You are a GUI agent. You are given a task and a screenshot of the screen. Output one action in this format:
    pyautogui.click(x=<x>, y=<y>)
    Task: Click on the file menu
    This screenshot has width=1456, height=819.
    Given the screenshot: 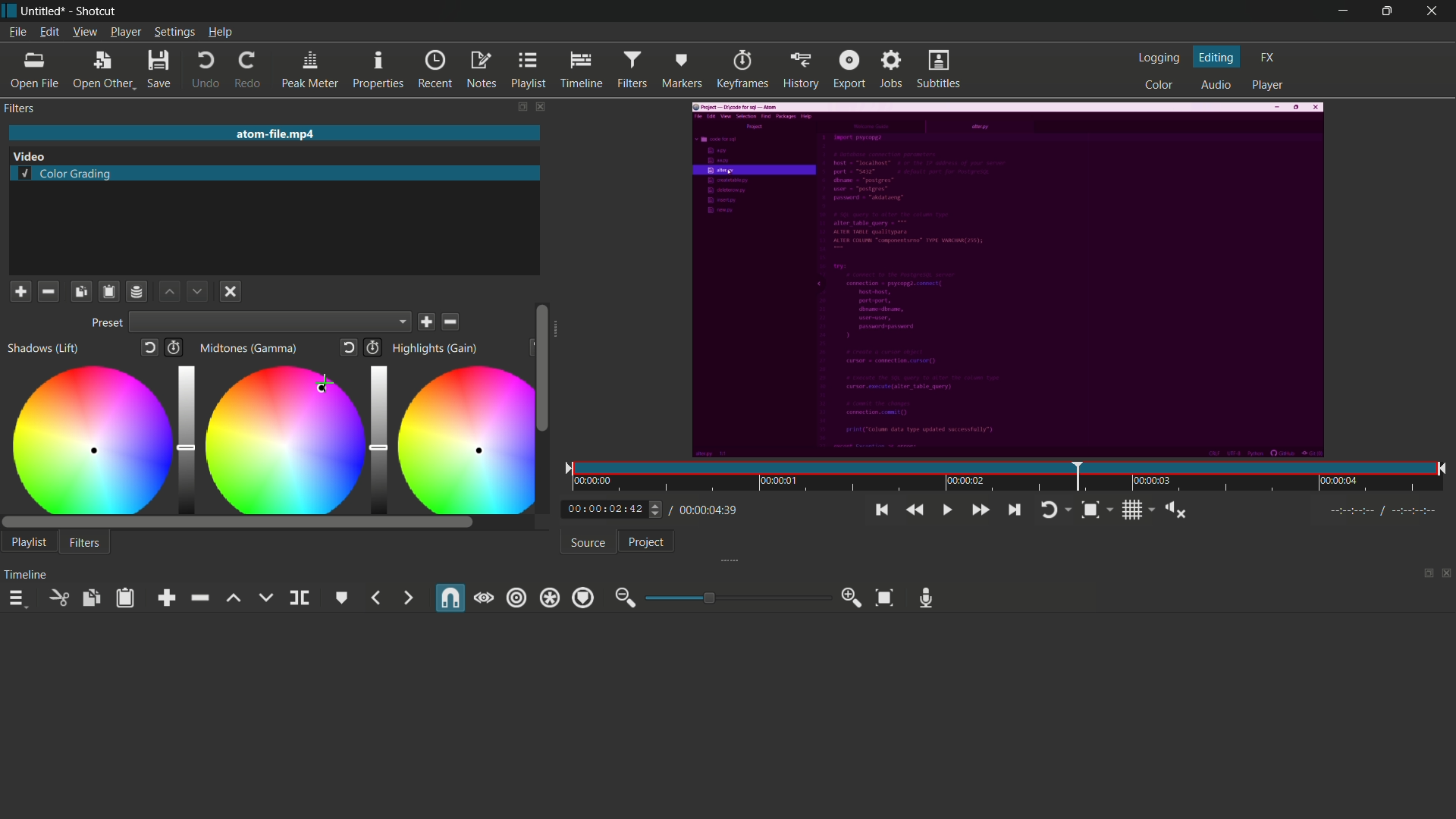 What is the action you would take?
    pyautogui.click(x=20, y=33)
    